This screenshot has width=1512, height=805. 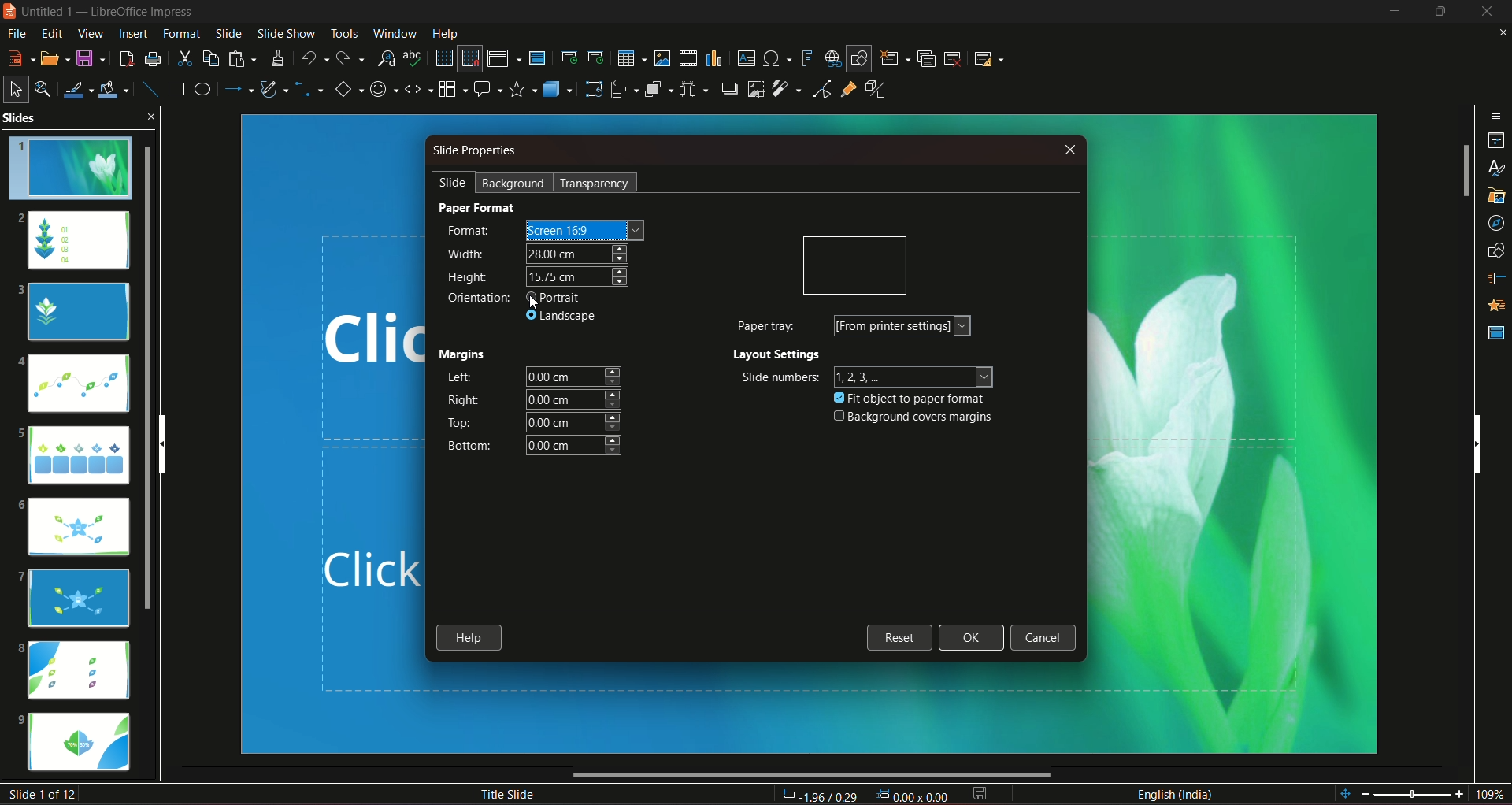 I want to click on spelling, so click(x=414, y=58).